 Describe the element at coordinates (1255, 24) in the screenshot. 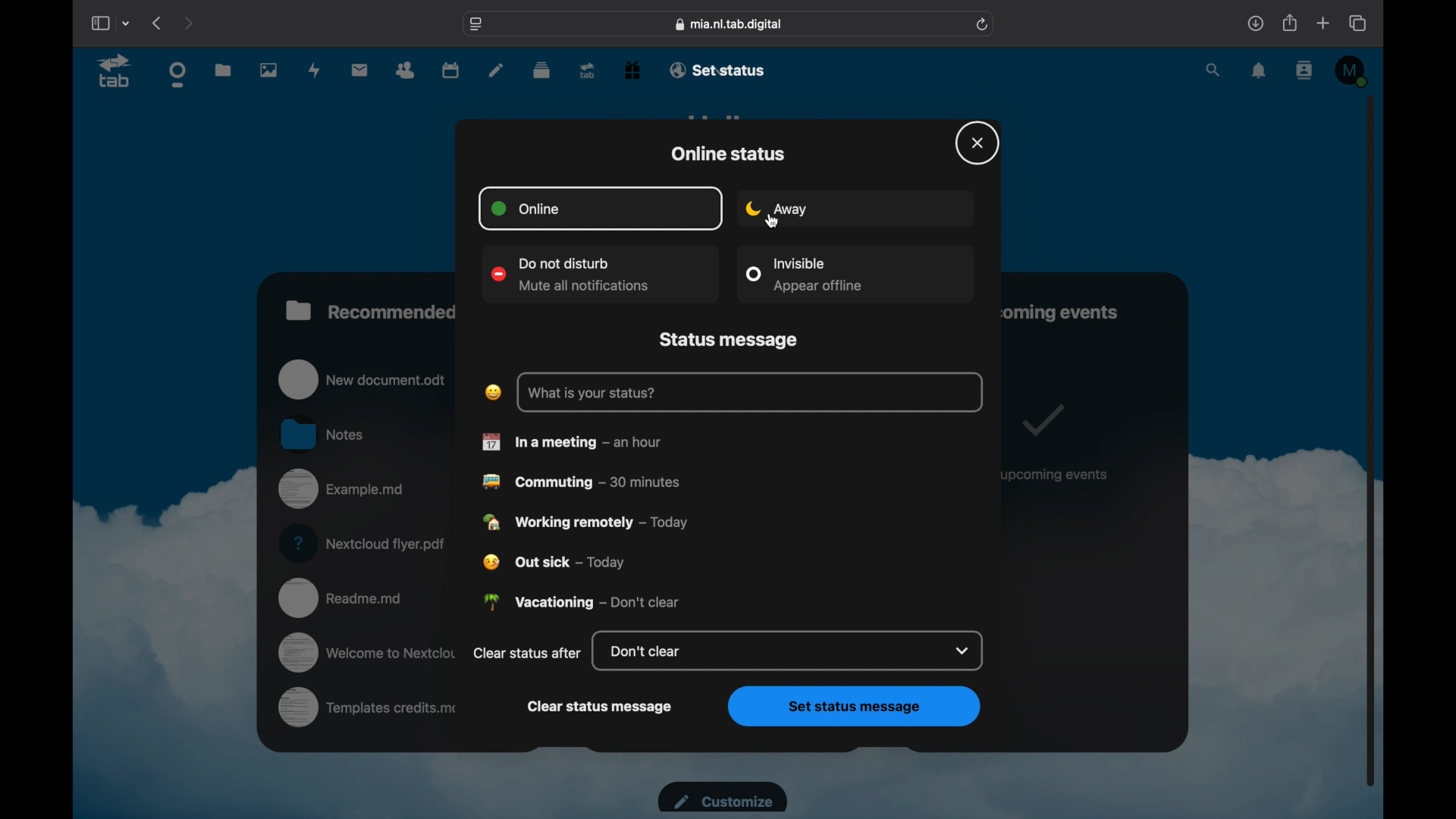

I see `downloads` at that location.